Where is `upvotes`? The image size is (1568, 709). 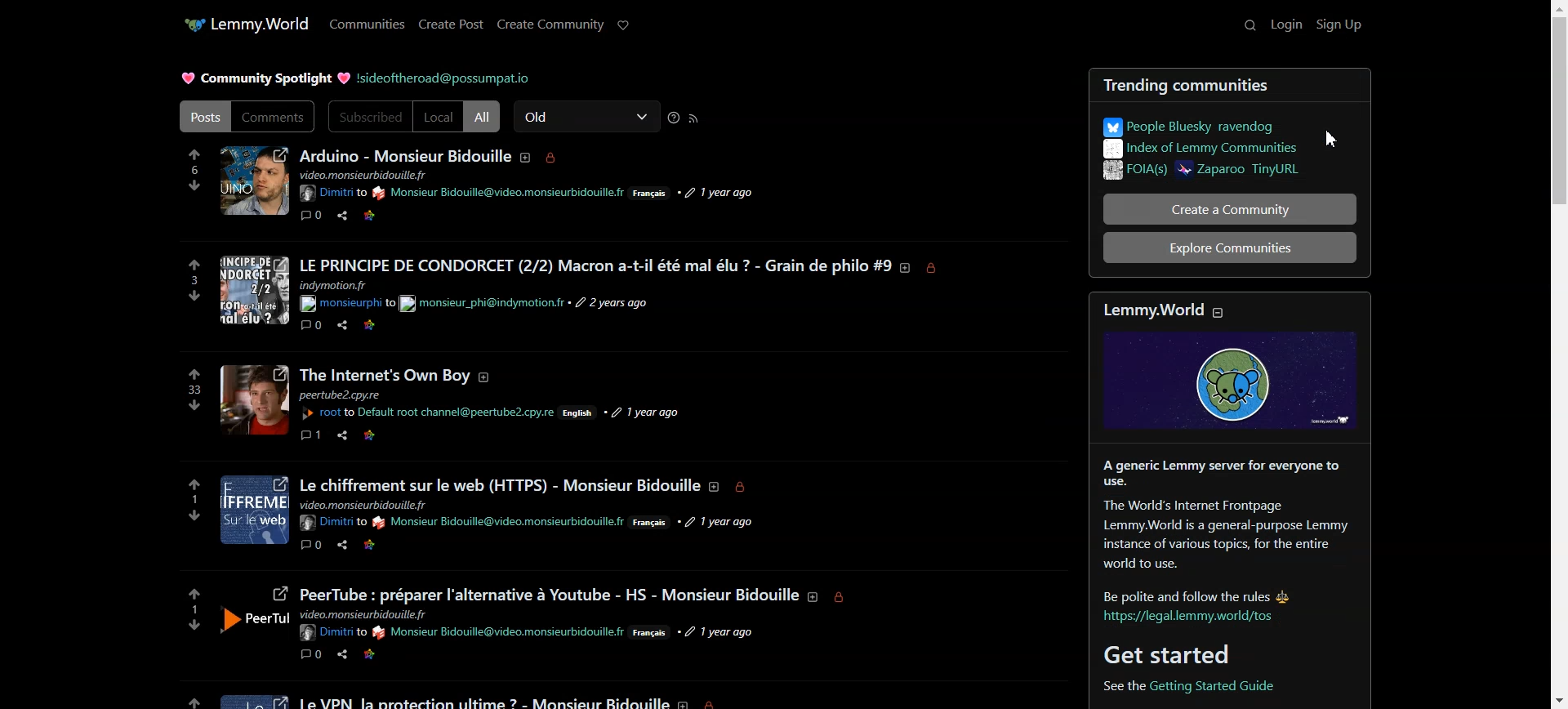
upvotes is located at coordinates (194, 589).